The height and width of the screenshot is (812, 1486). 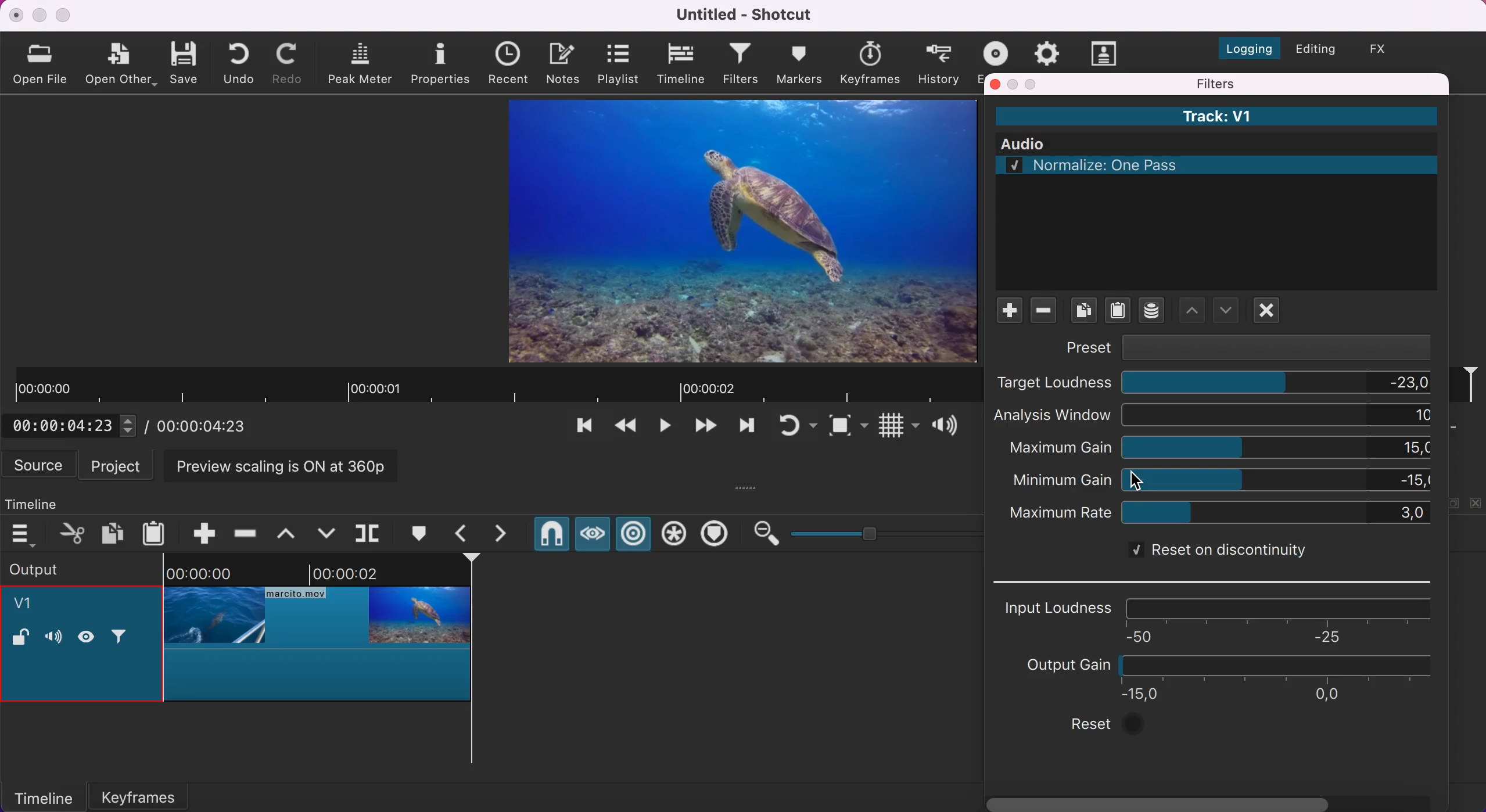 What do you see at coordinates (1033, 84) in the screenshot?
I see `maximize` at bounding box center [1033, 84].